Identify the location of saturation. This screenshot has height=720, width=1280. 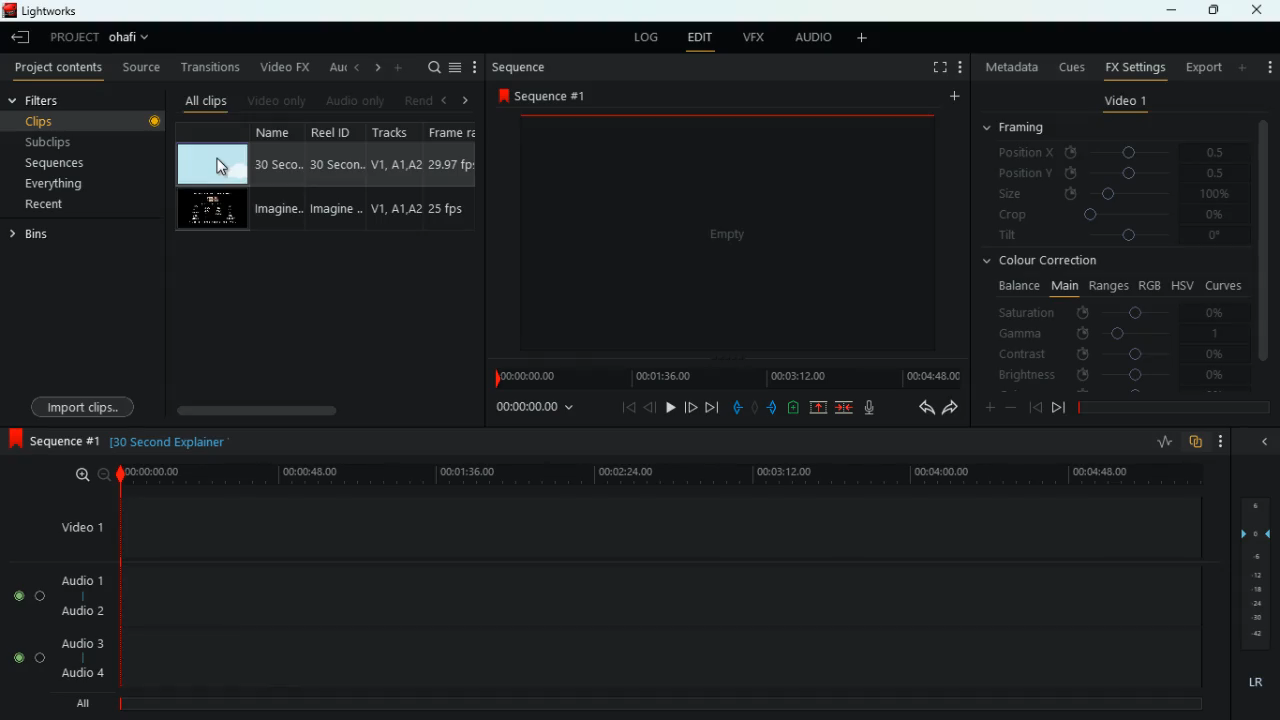
(1121, 314).